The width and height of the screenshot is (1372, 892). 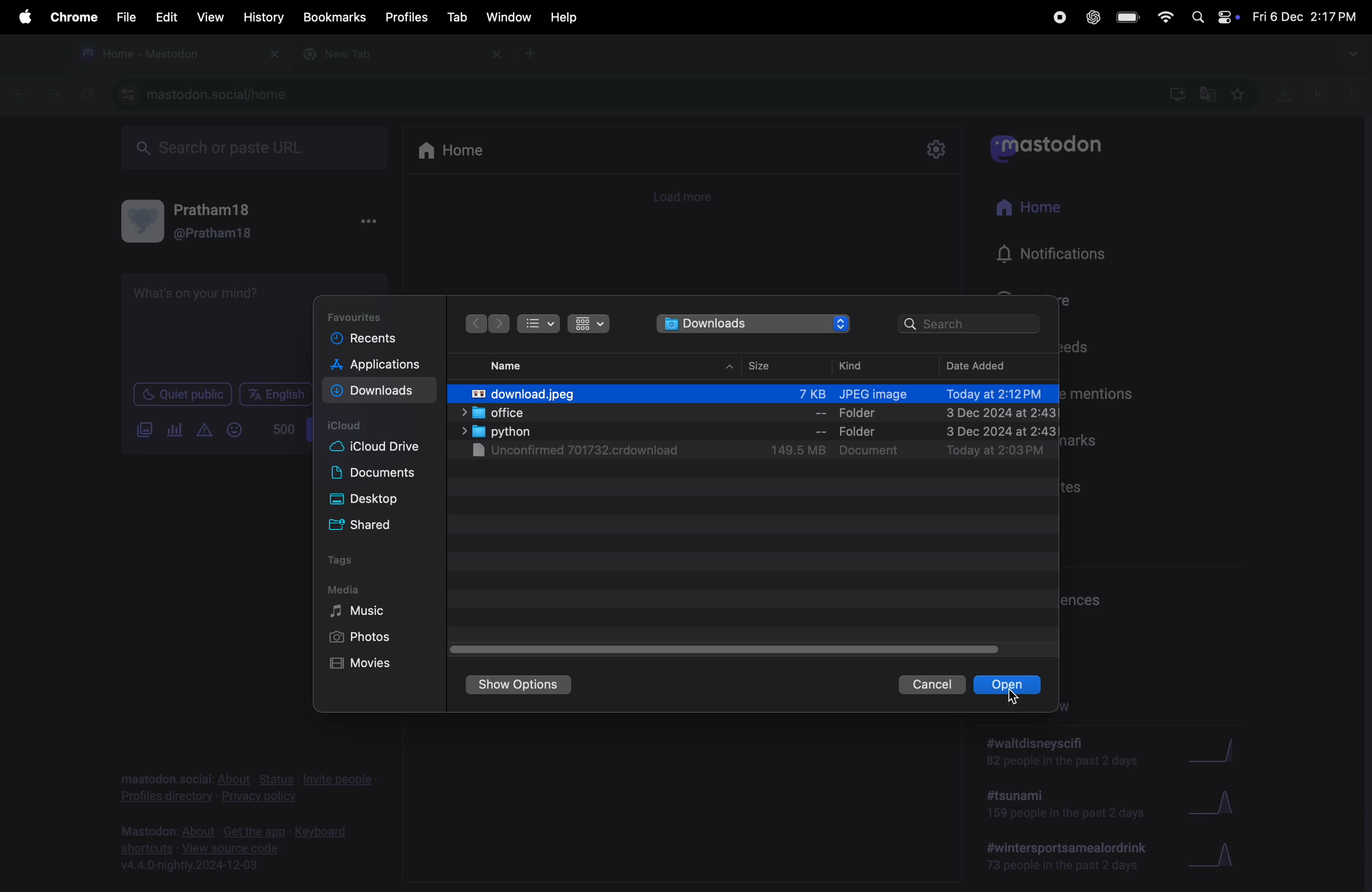 I want to click on Graph, so click(x=1228, y=852).